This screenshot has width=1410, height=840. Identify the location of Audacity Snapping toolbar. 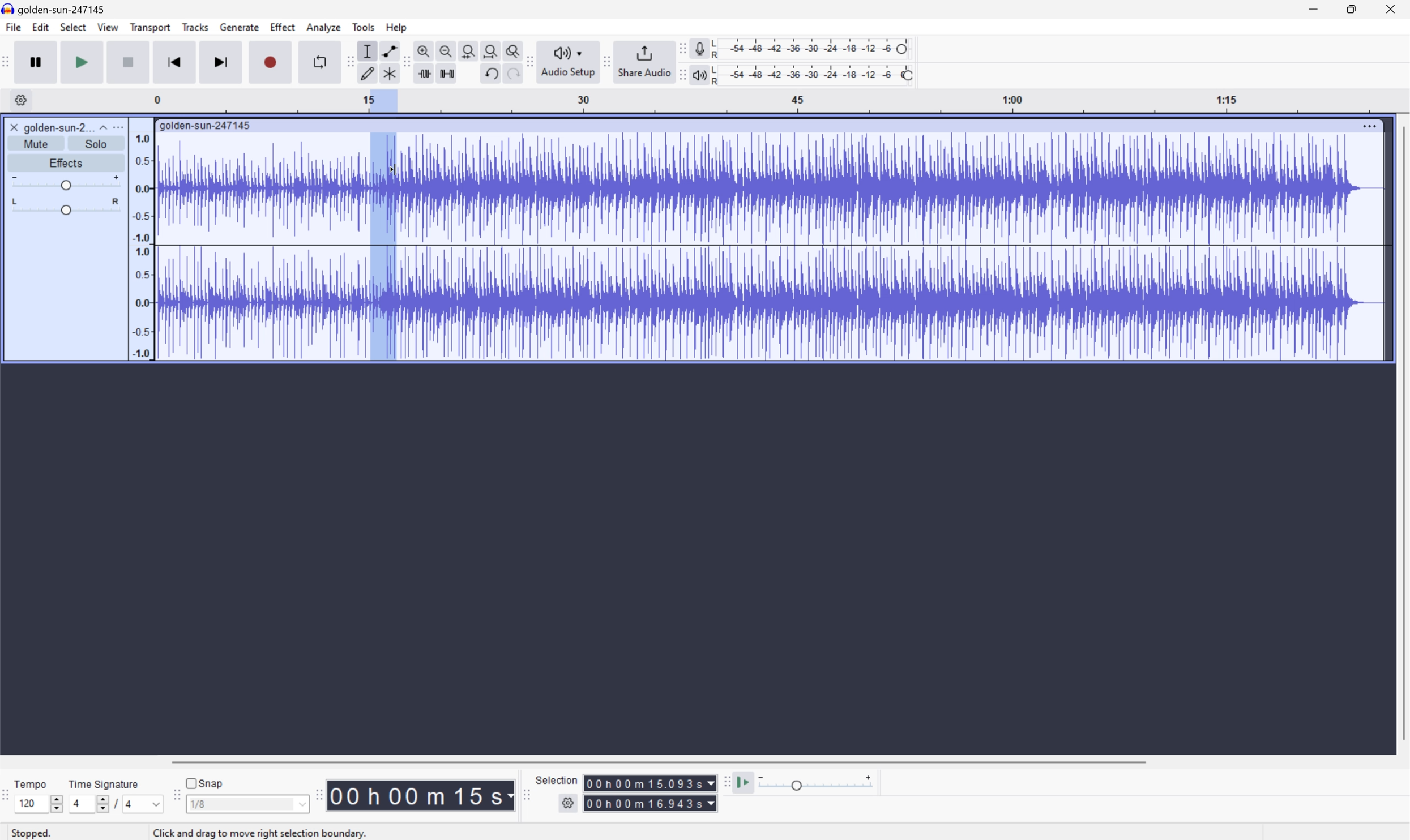
(174, 799).